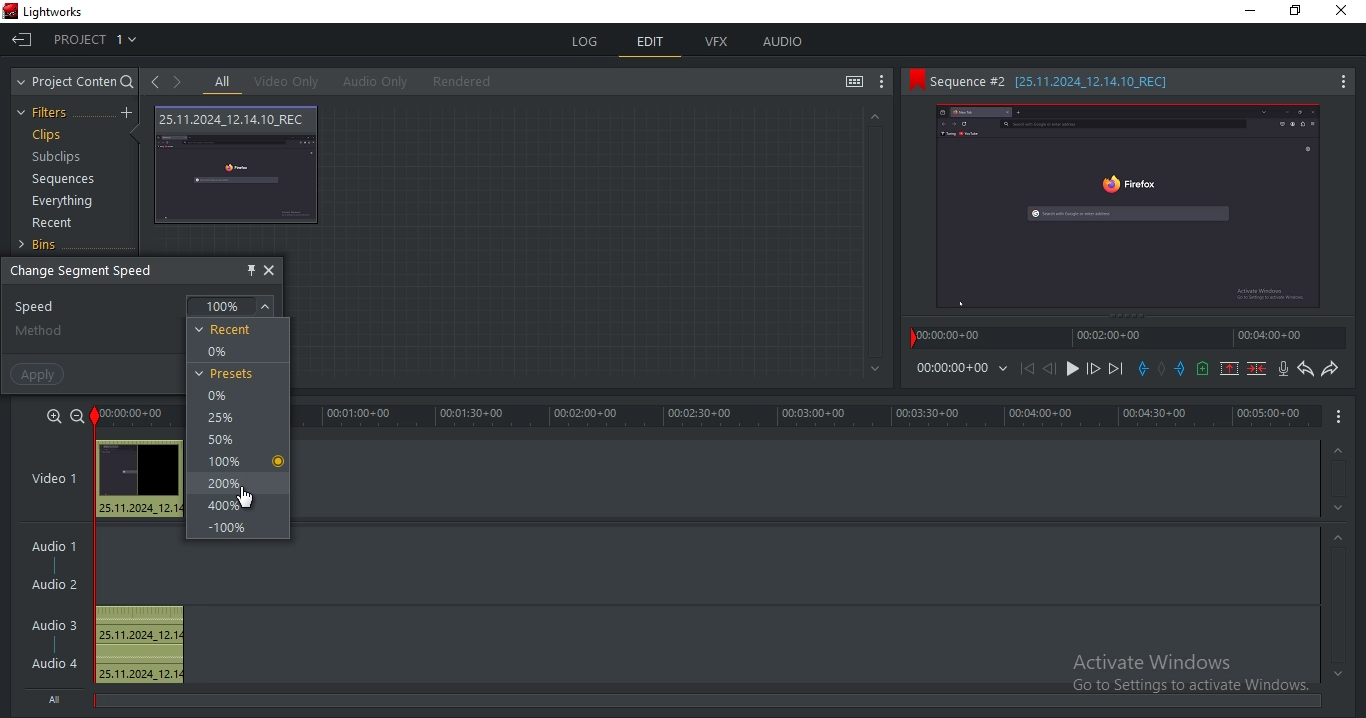 The width and height of the screenshot is (1366, 718). What do you see at coordinates (57, 608) in the screenshot?
I see `audio` at bounding box center [57, 608].